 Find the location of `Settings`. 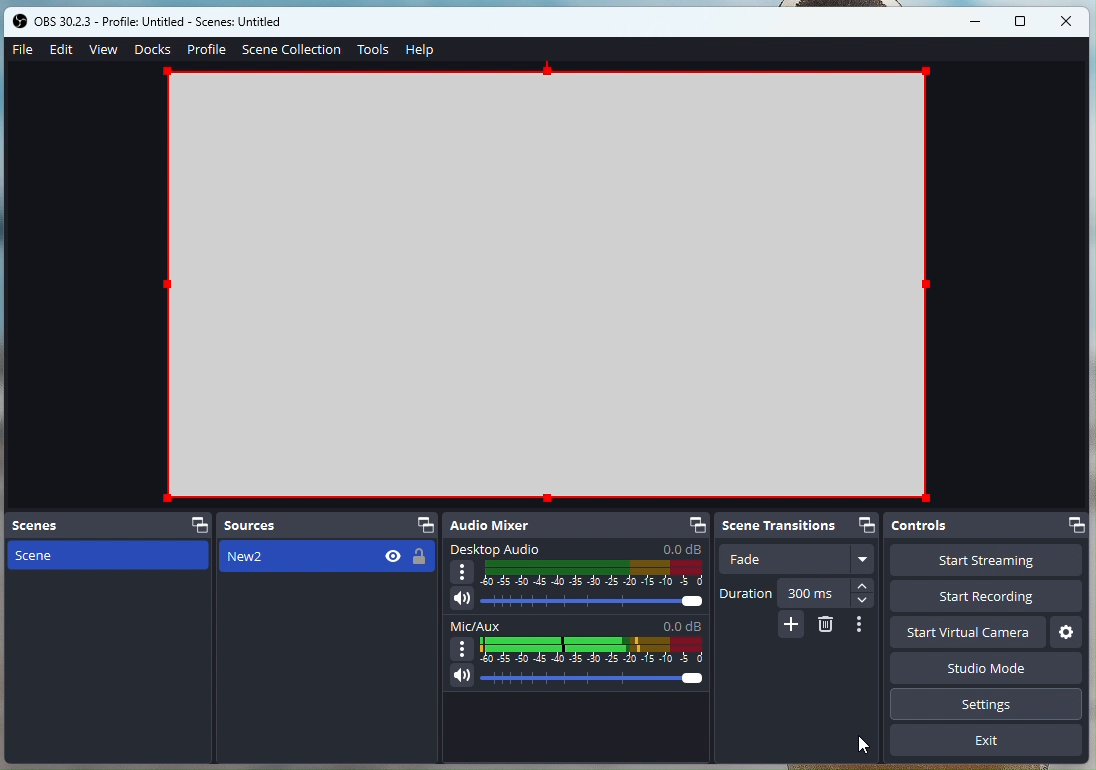

Settings is located at coordinates (1069, 633).